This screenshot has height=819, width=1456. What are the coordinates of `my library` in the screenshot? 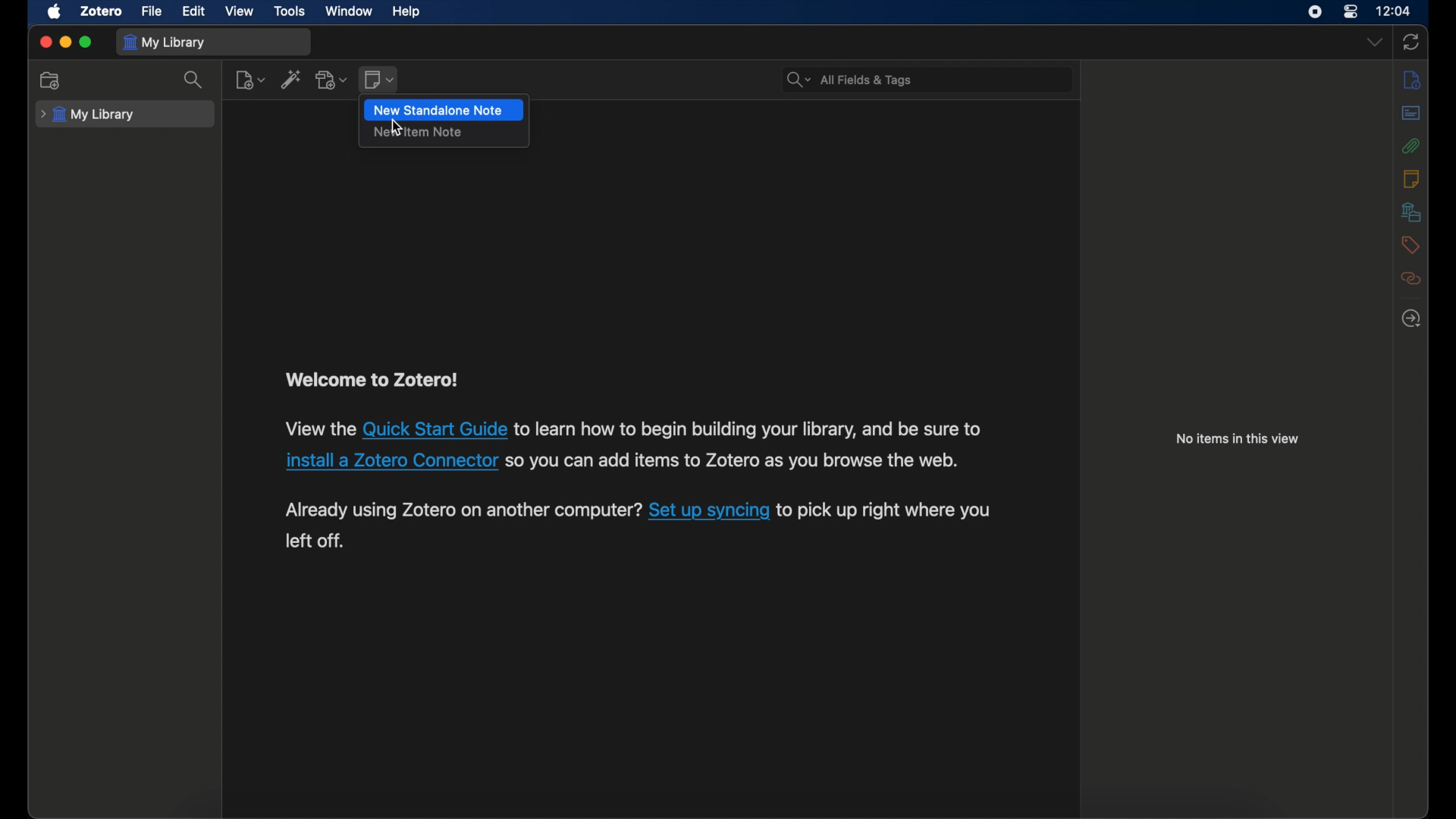 It's located at (165, 42).